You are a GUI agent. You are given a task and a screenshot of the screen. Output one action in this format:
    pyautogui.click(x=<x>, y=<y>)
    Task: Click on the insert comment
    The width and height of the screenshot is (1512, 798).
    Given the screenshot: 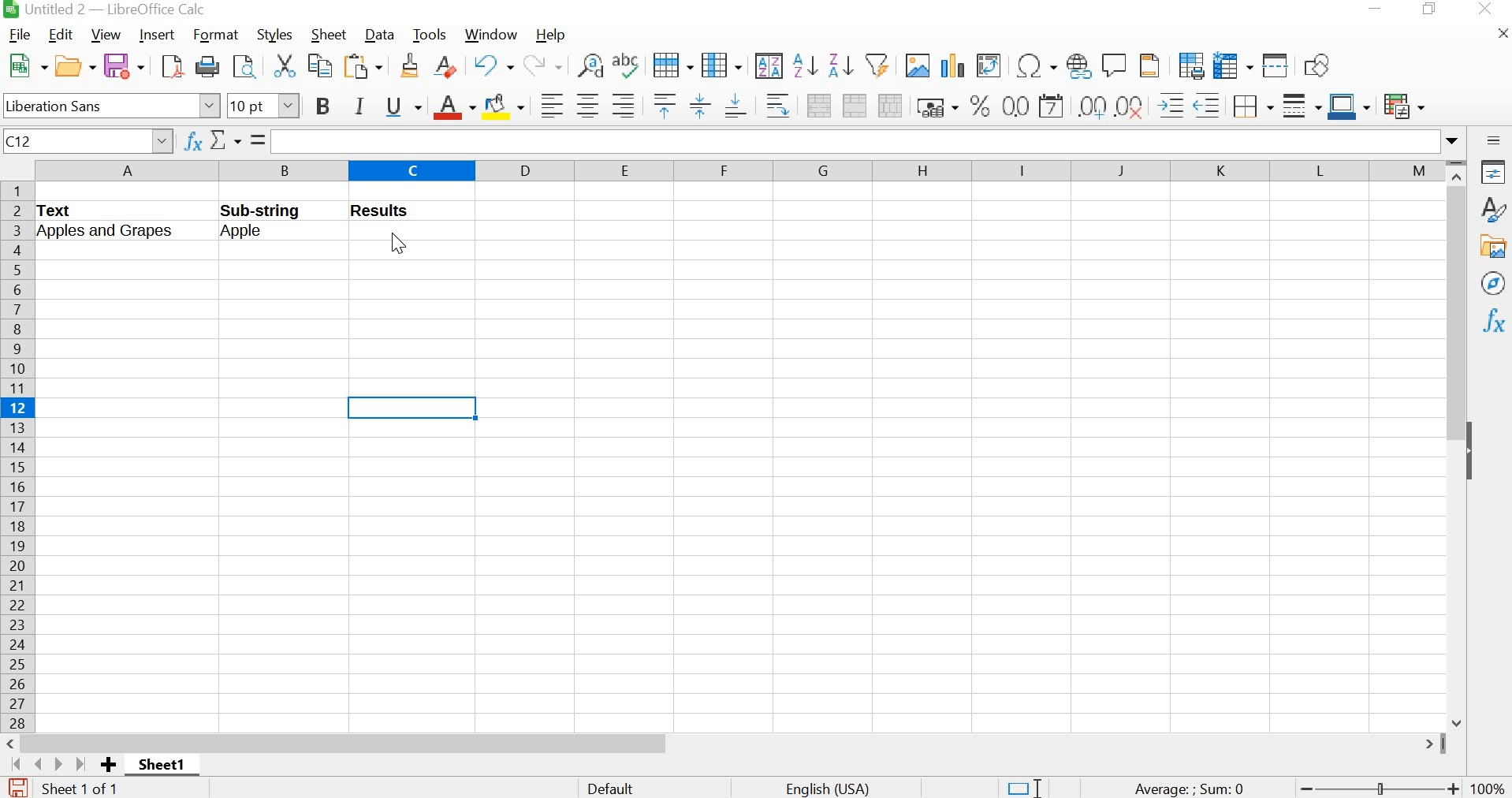 What is the action you would take?
    pyautogui.click(x=1115, y=64)
    